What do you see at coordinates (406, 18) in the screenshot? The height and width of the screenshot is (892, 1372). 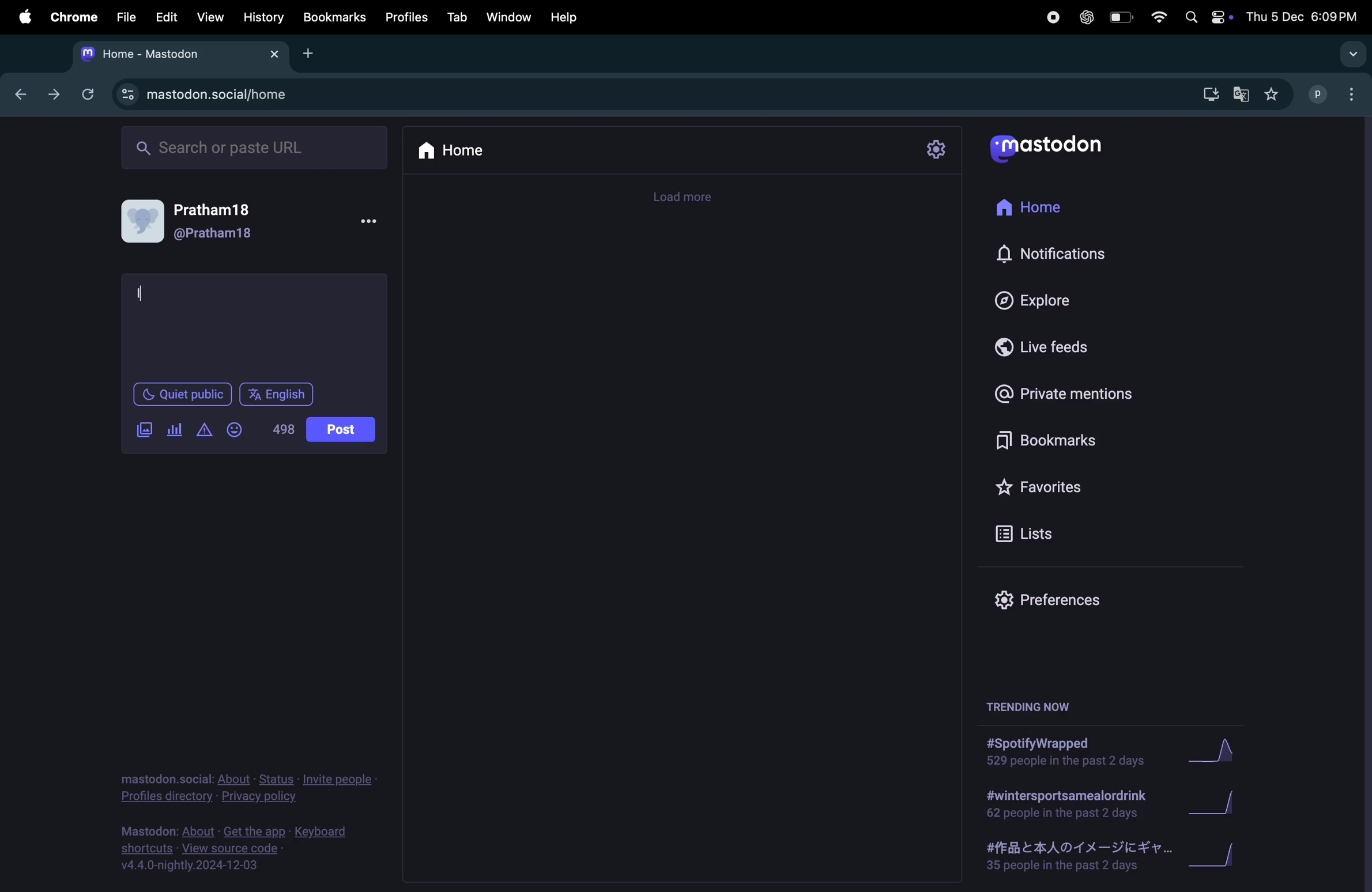 I see `profiles` at bounding box center [406, 18].